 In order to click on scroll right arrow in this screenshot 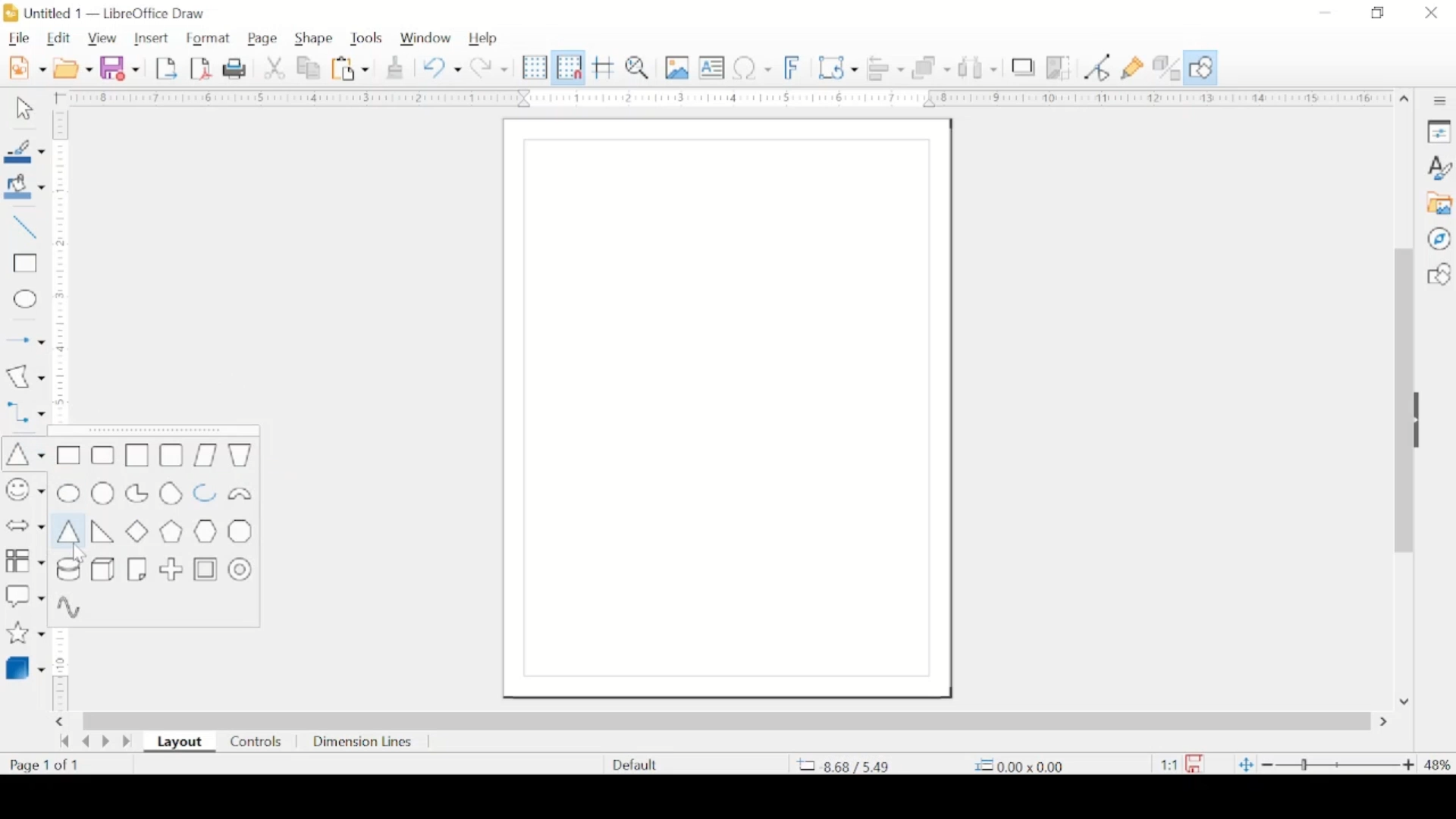, I will do `click(1386, 722)`.